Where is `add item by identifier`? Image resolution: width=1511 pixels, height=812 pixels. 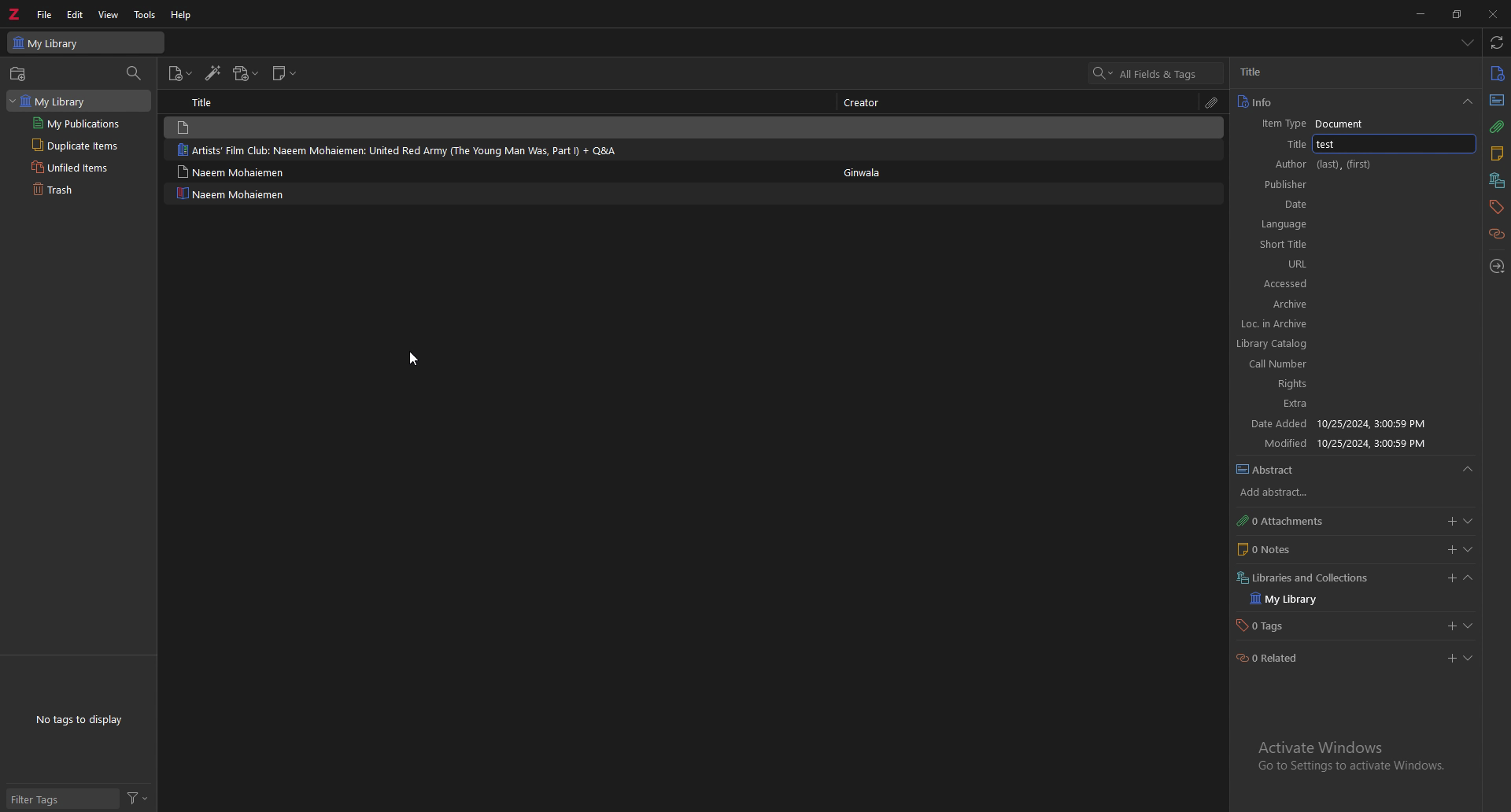 add item by identifier is located at coordinates (214, 74).